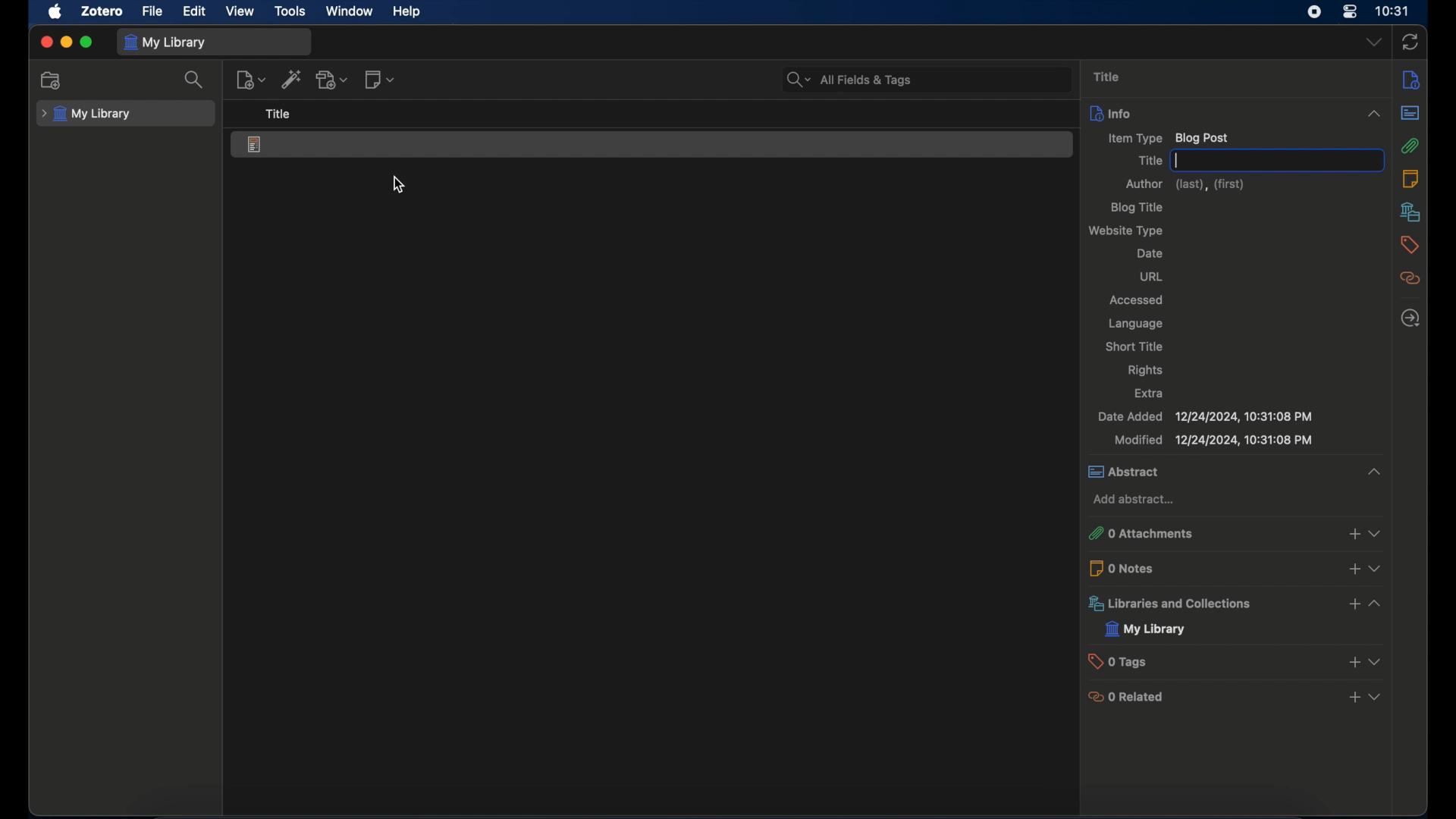 The height and width of the screenshot is (819, 1456). What do you see at coordinates (290, 11) in the screenshot?
I see `tools` at bounding box center [290, 11].